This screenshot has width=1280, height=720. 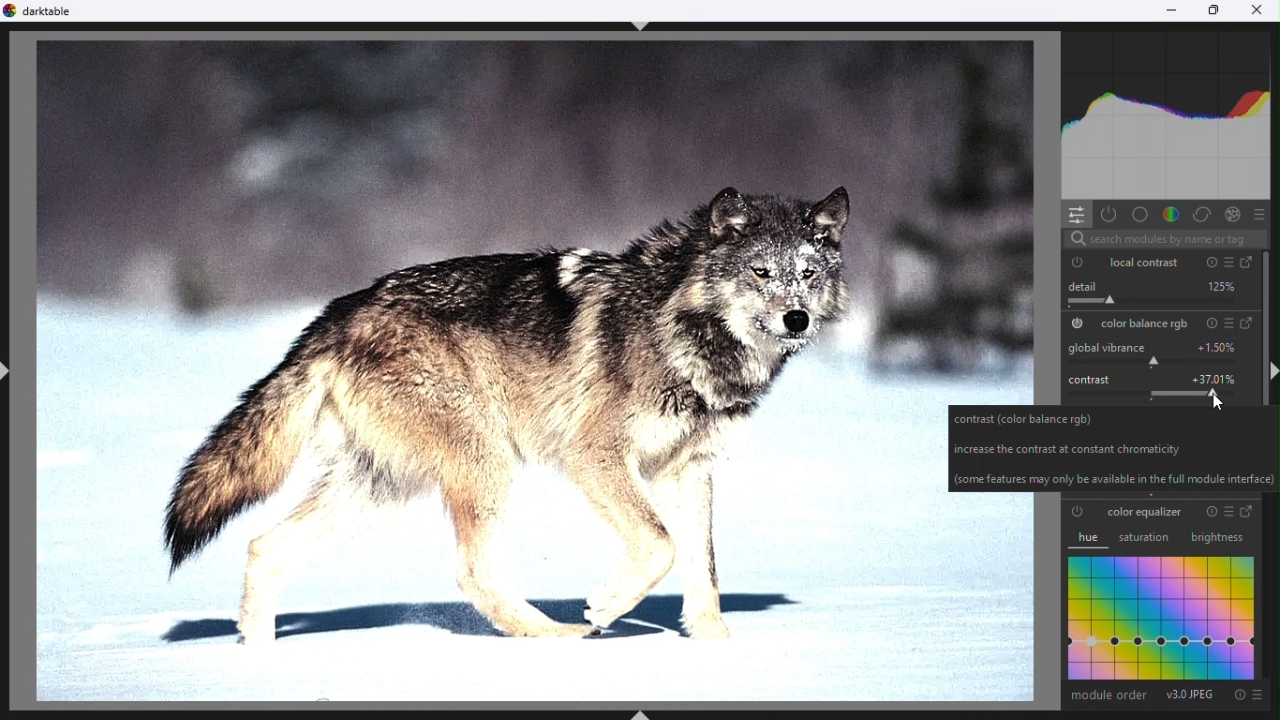 I want to click on module order, so click(x=1109, y=695).